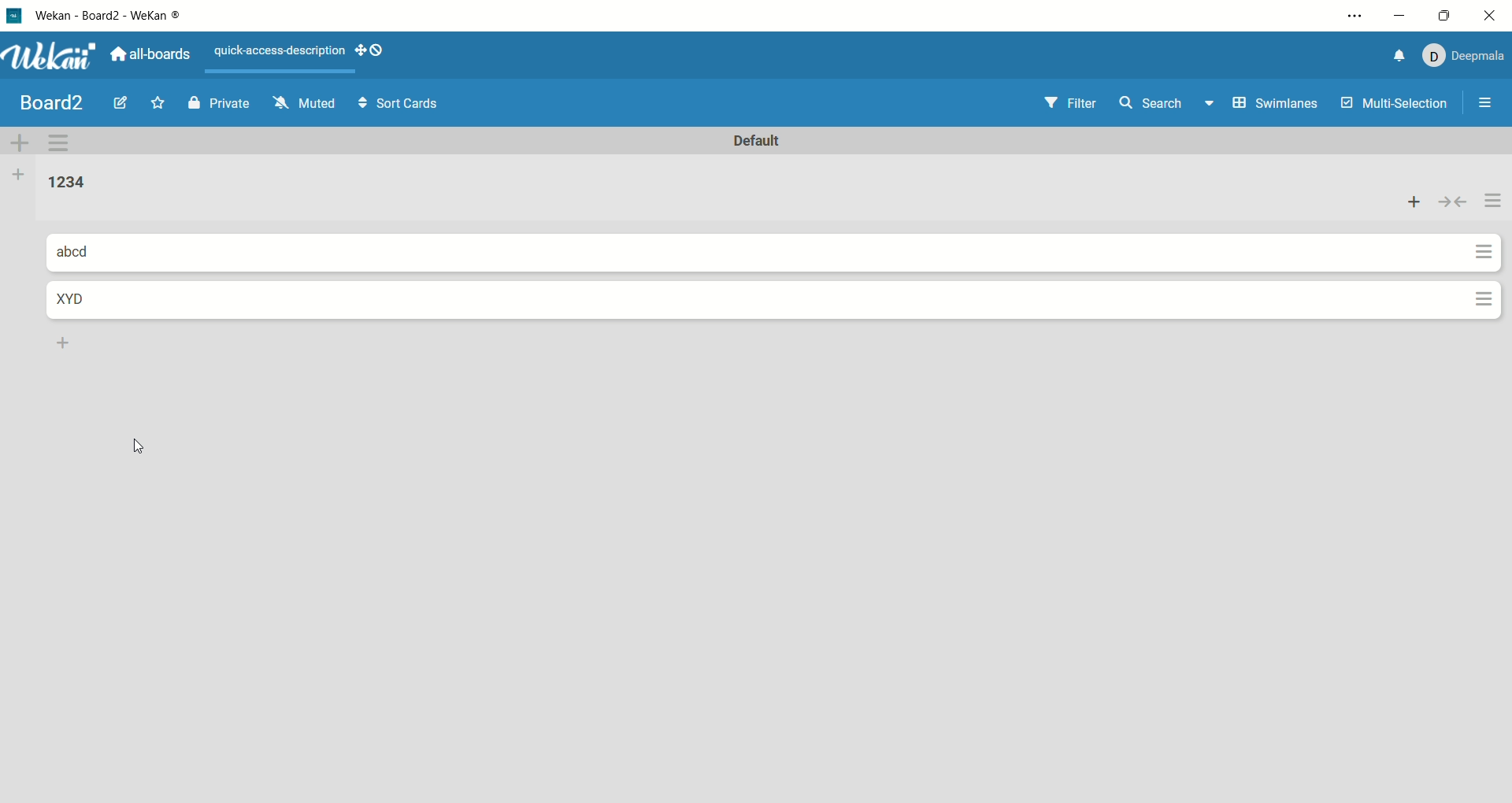 The width and height of the screenshot is (1512, 803). Describe the element at coordinates (1415, 203) in the screenshot. I see `add` at that location.